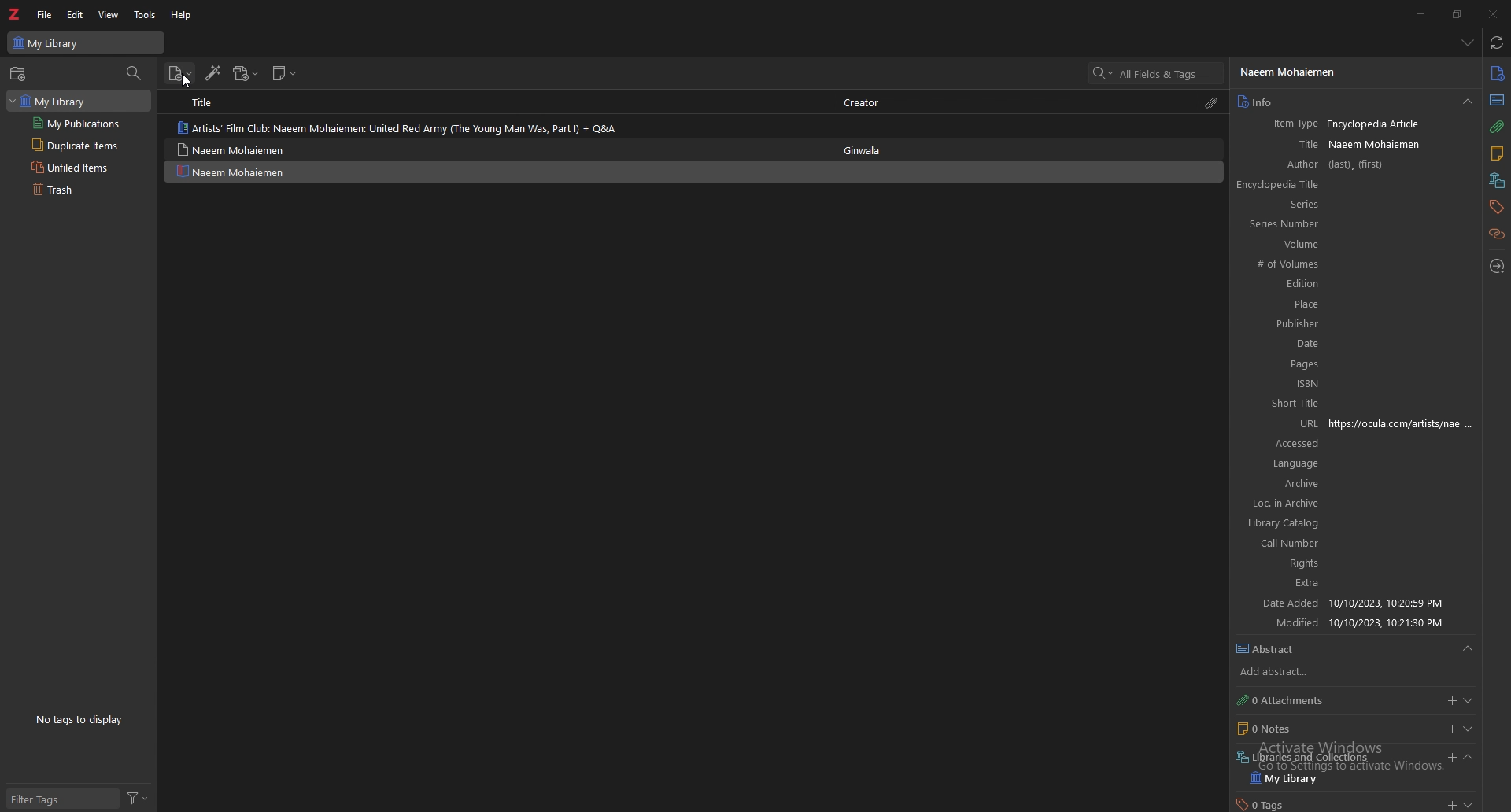 The width and height of the screenshot is (1511, 812). Describe the element at coordinates (1280, 465) in the screenshot. I see `language` at that location.